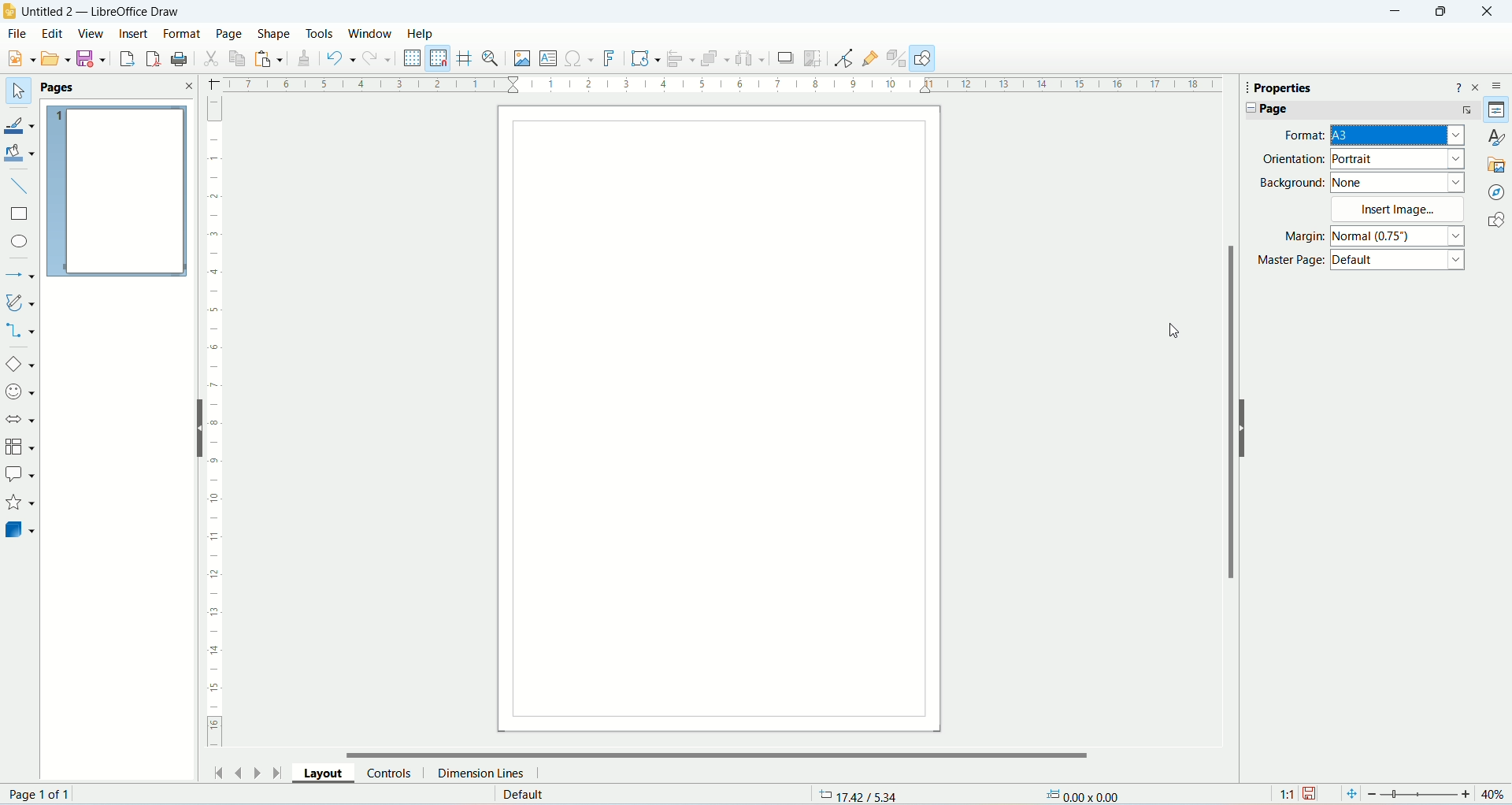  I want to click on fill color, so click(20, 152).